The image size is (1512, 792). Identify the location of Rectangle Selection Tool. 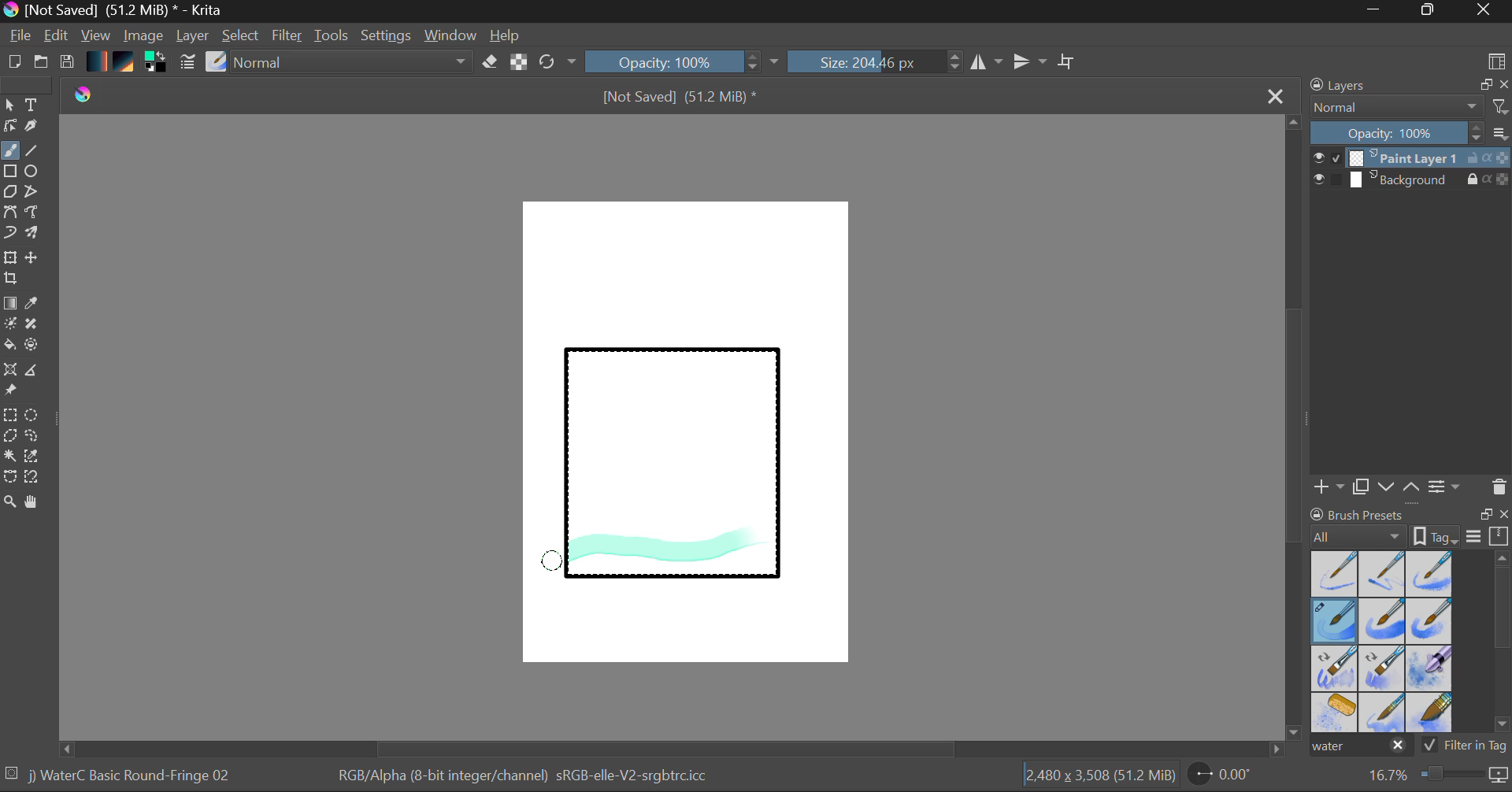
(9, 417).